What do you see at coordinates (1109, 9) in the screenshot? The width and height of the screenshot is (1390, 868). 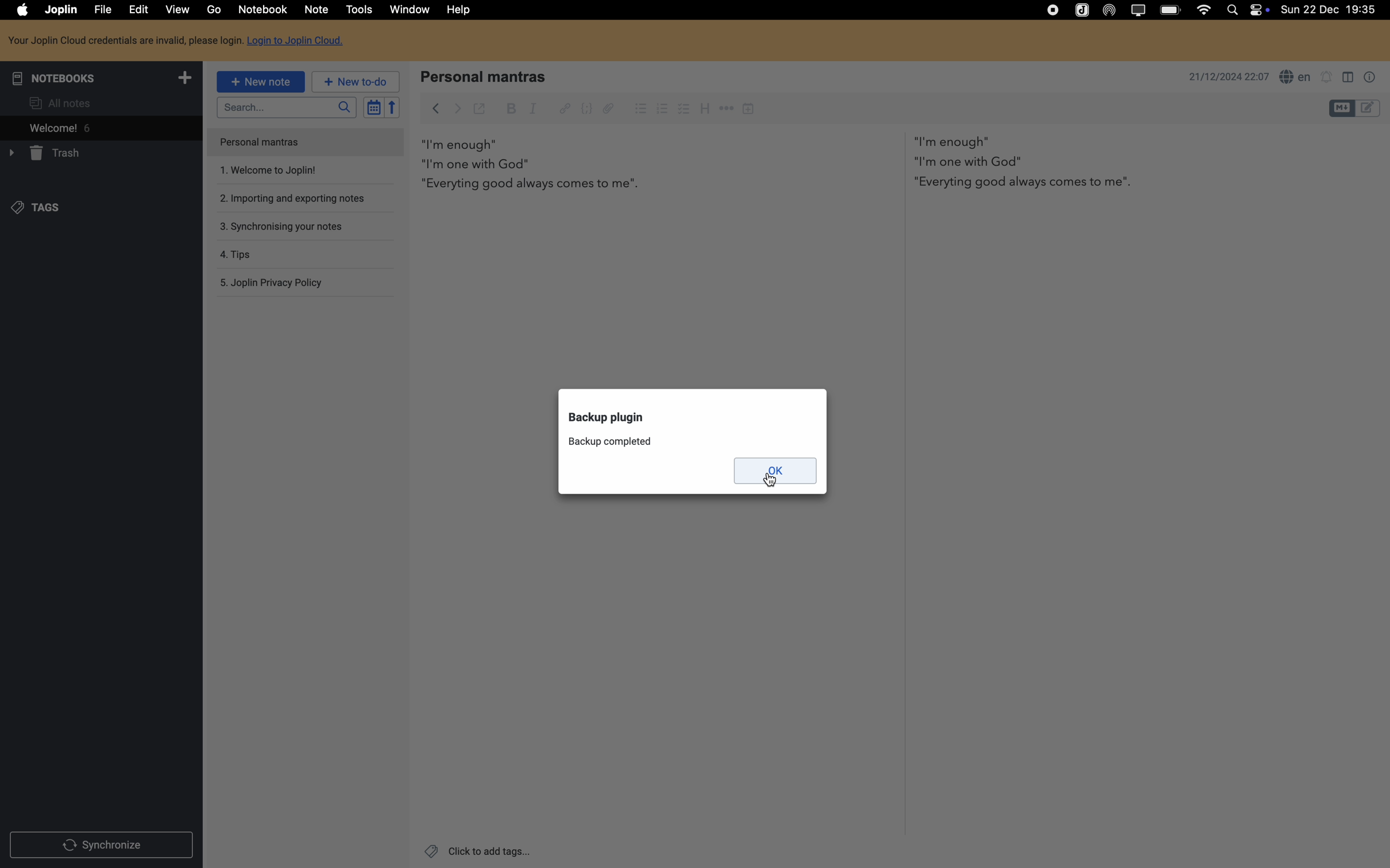 I see `Airdrop` at bounding box center [1109, 9].